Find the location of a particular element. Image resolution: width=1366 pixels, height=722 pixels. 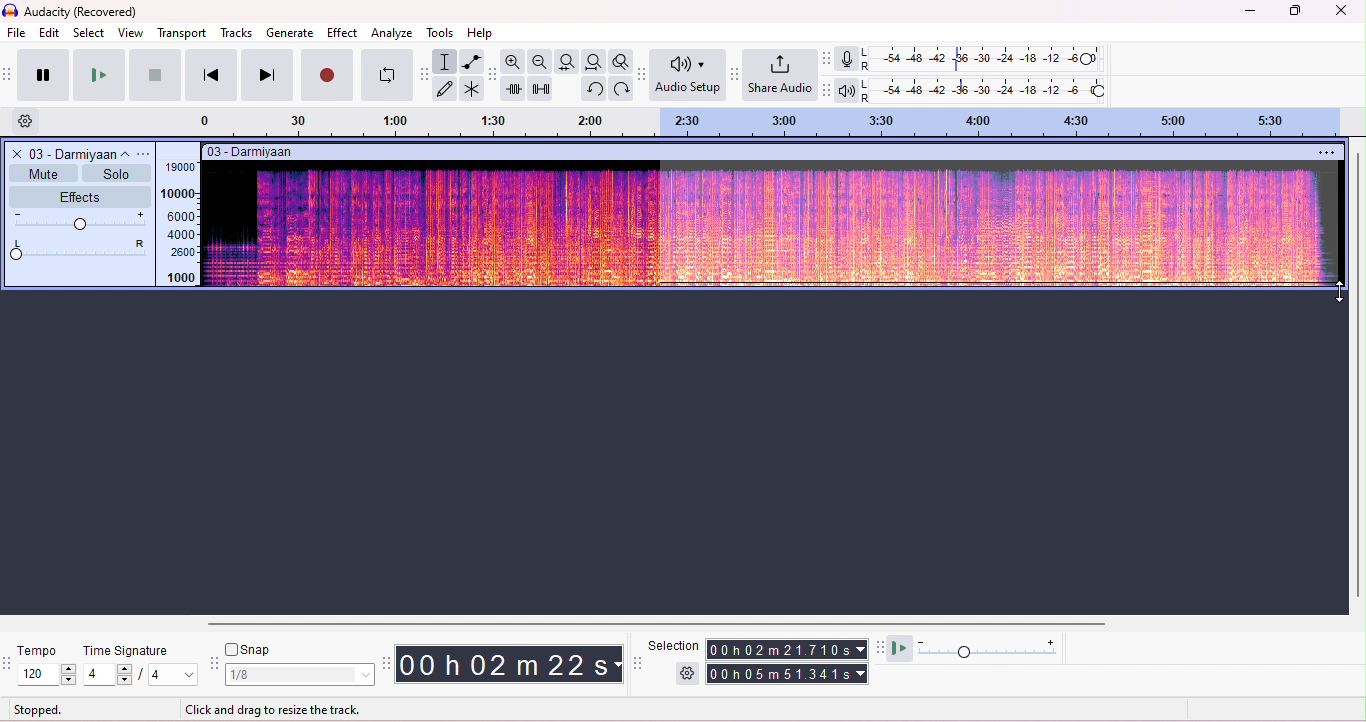

record is located at coordinates (328, 76).